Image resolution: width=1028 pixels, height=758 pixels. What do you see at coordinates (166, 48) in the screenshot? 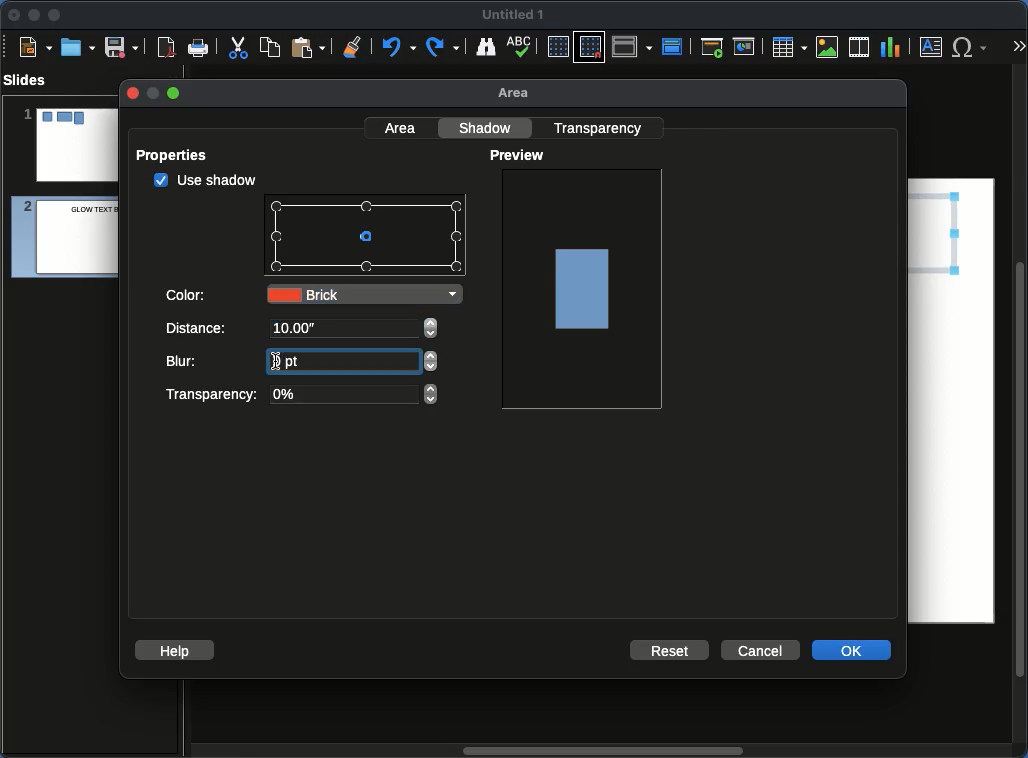
I see `Export as PDF` at bounding box center [166, 48].